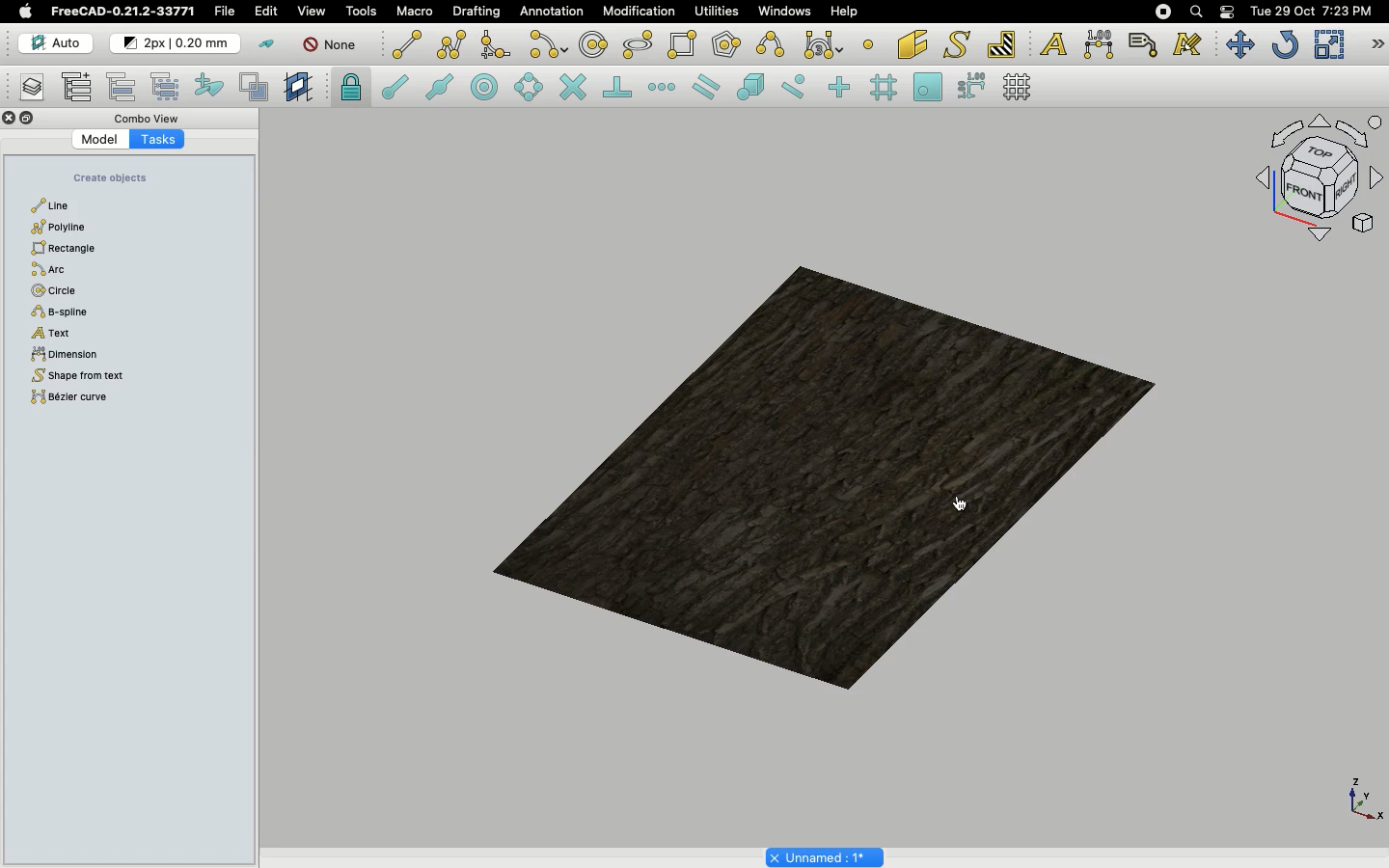 The width and height of the screenshot is (1389, 868). What do you see at coordinates (1315, 181) in the screenshot?
I see `Navigation styles` at bounding box center [1315, 181].